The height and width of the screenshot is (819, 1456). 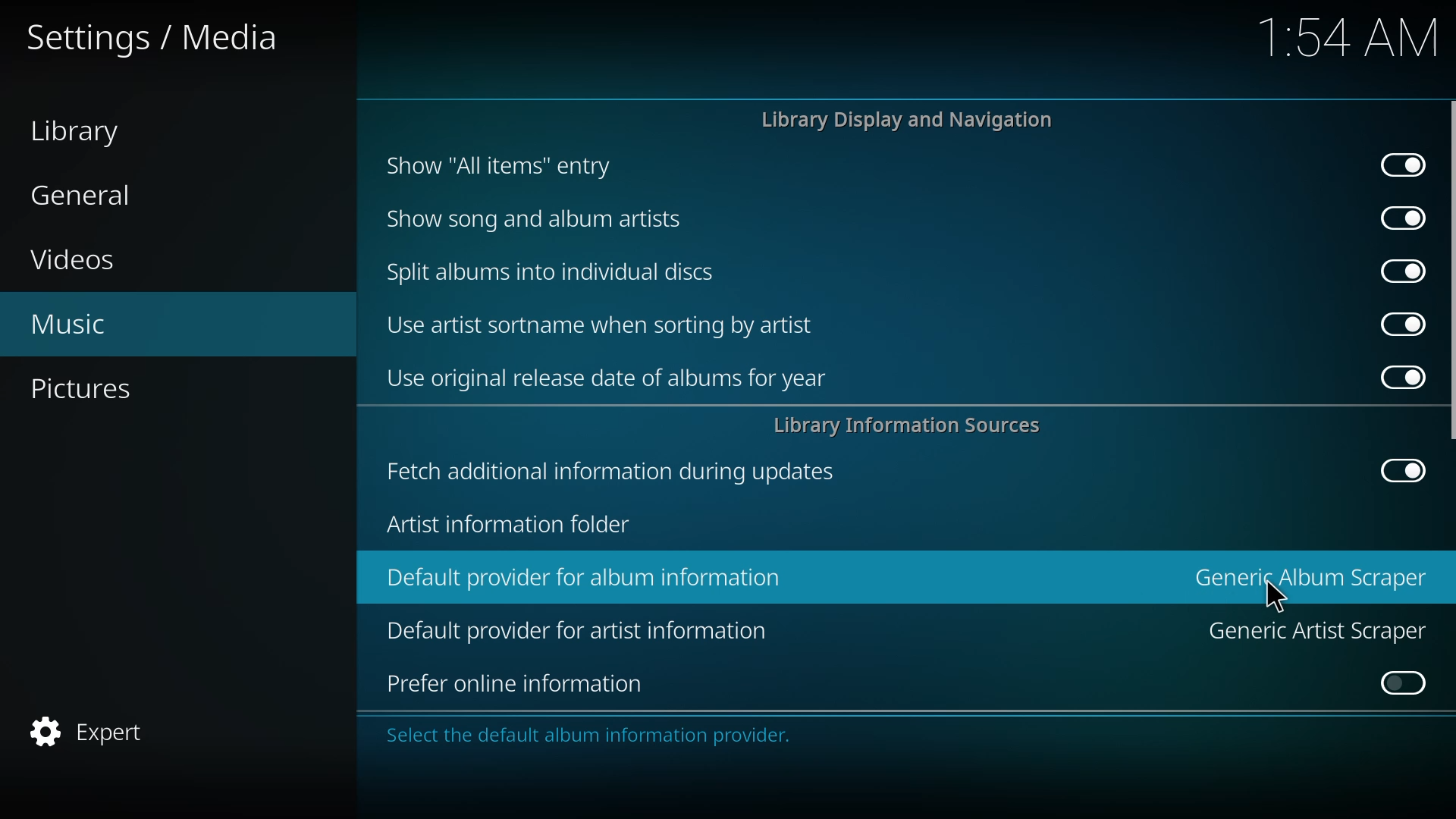 What do you see at coordinates (516, 526) in the screenshot?
I see `artist info folder` at bounding box center [516, 526].